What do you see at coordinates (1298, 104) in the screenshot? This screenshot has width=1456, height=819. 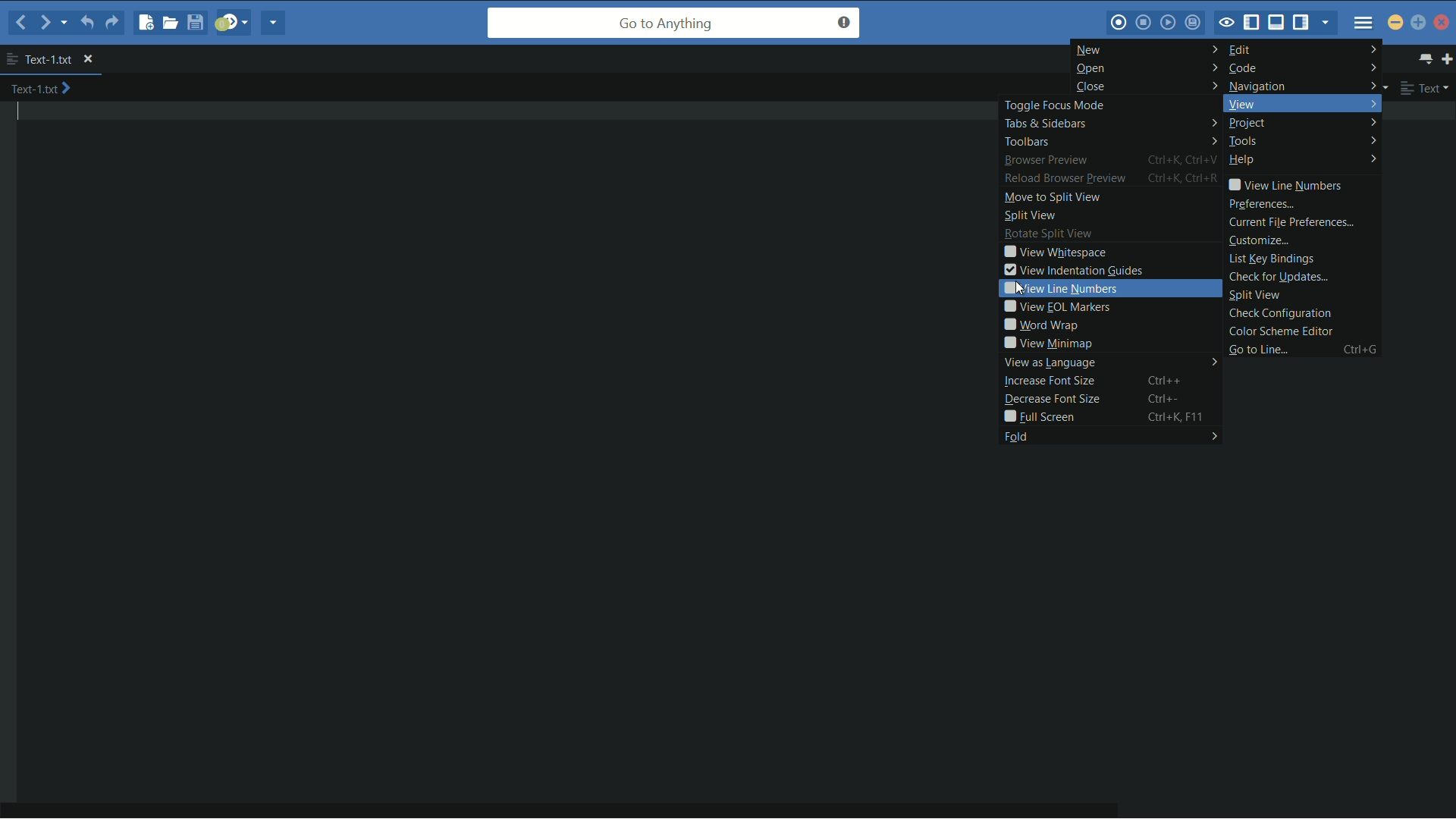 I see `view` at bounding box center [1298, 104].